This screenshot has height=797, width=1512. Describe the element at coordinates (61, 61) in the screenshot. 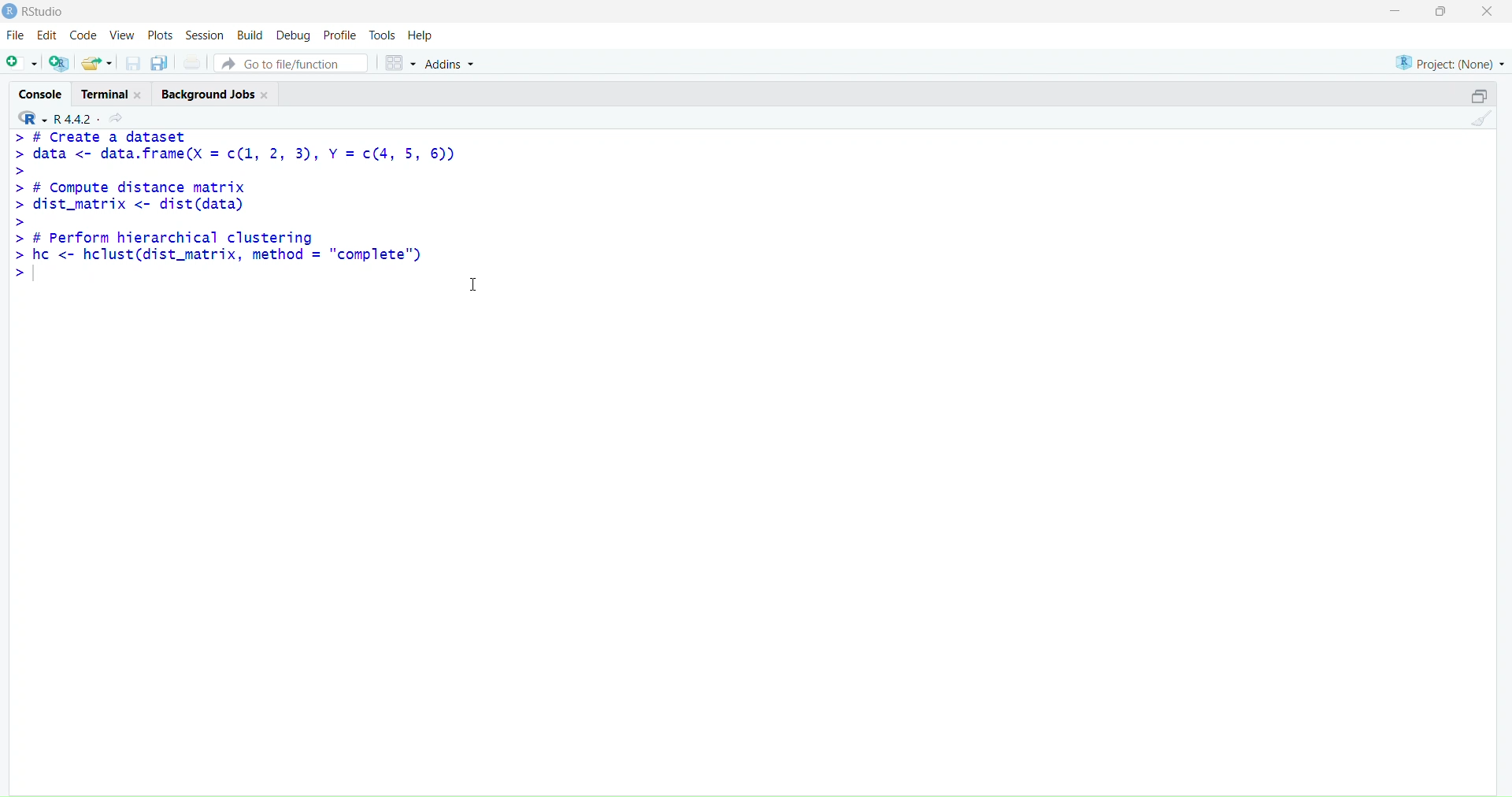

I see `Create a project` at that location.